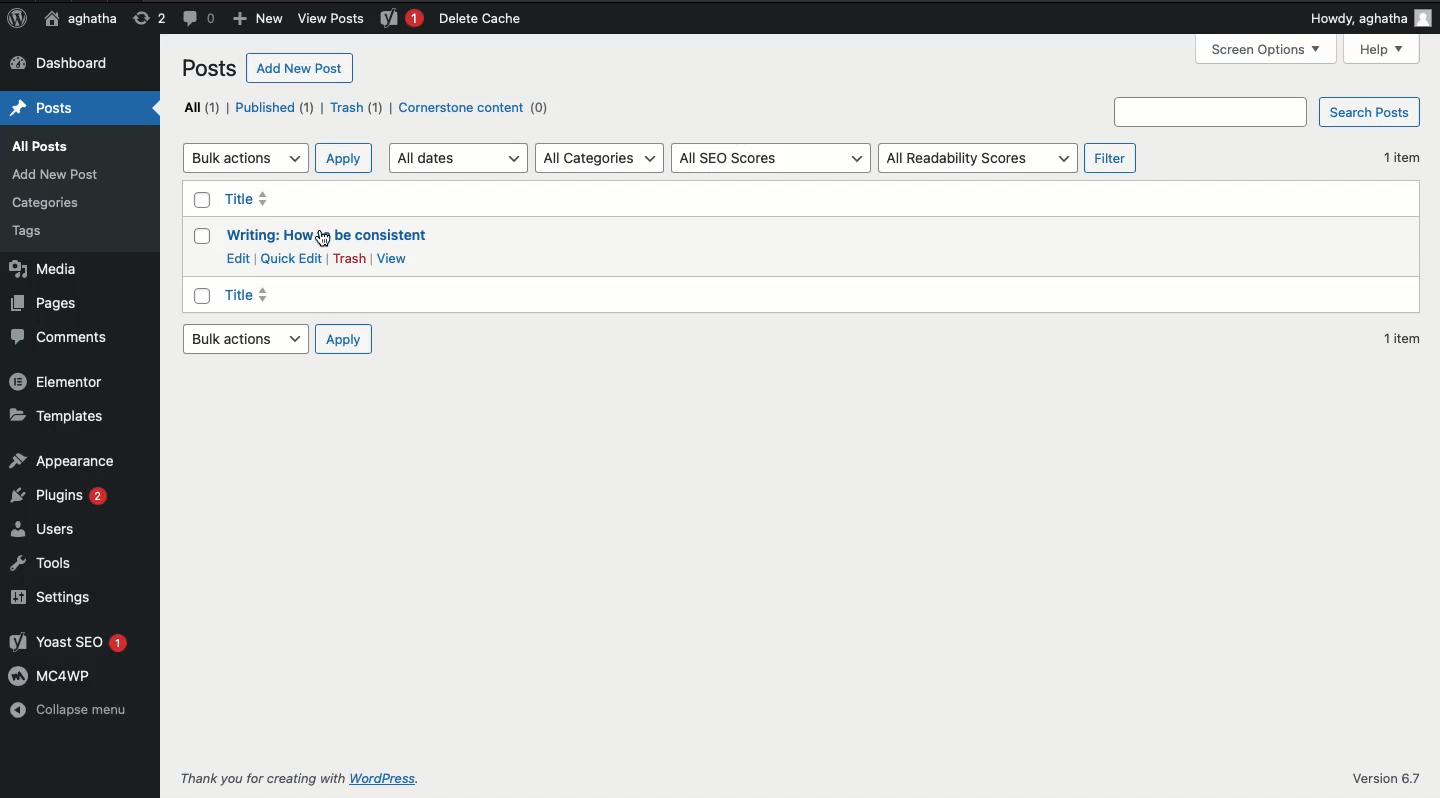  What do you see at coordinates (44, 528) in the screenshot?
I see `Users` at bounding box center [44, 528].